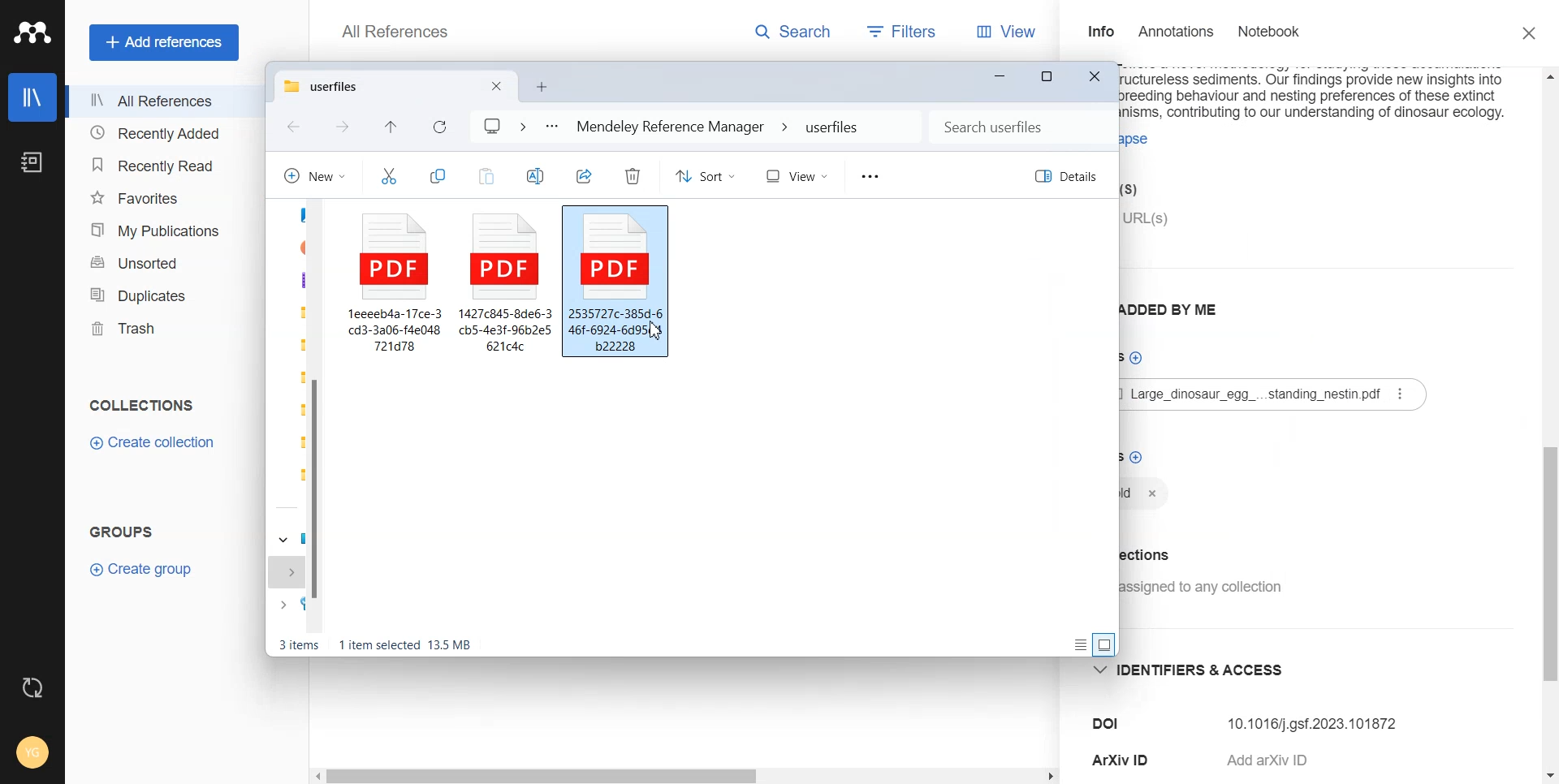 The image size is (1559, 784). Describe the element at coordinates (1314, 718) in the screenshot. I see `10.1016j.gsf.2023.101872` at that location.